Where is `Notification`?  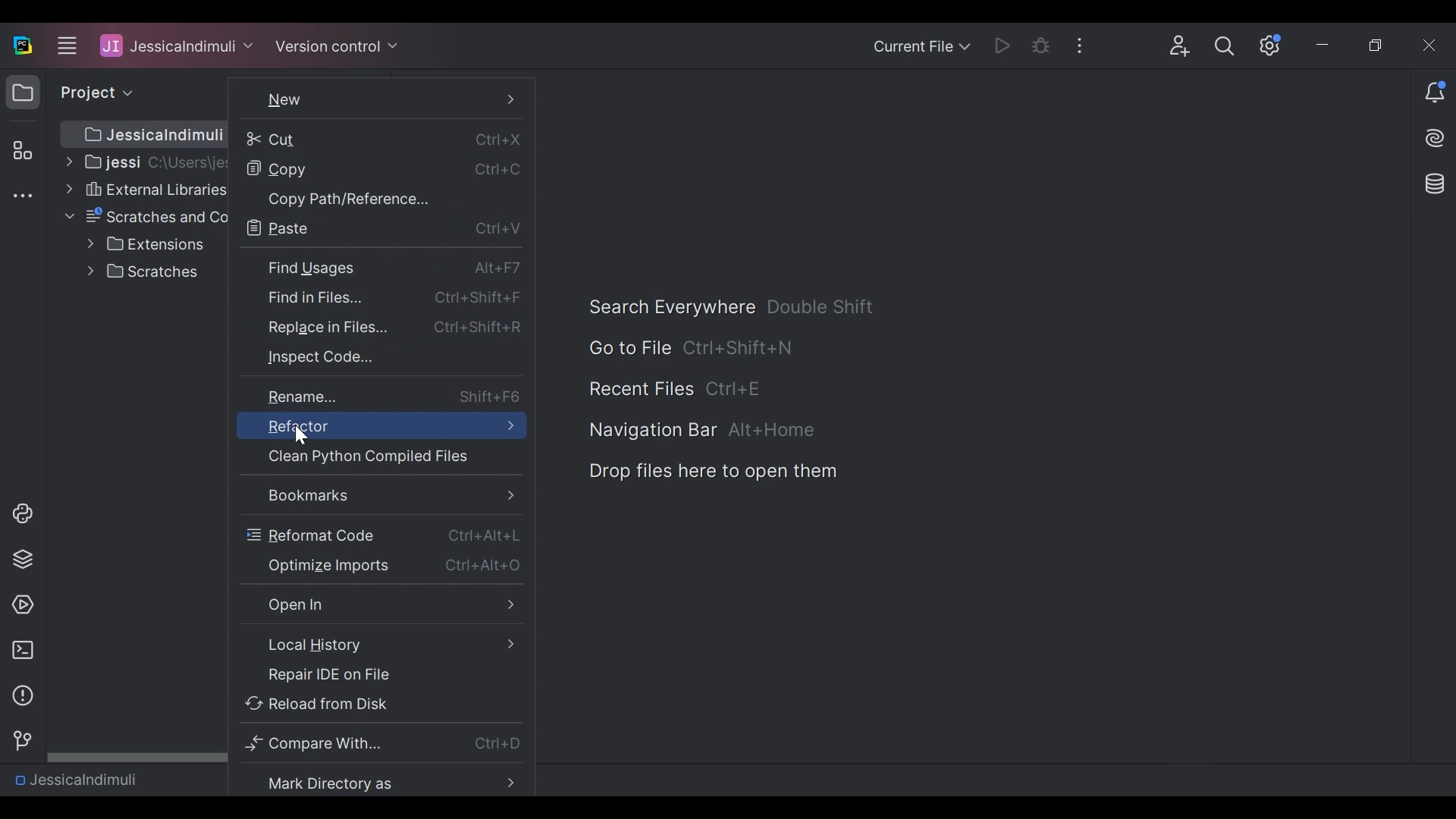
Notification is located at coordinates (1435, 94).